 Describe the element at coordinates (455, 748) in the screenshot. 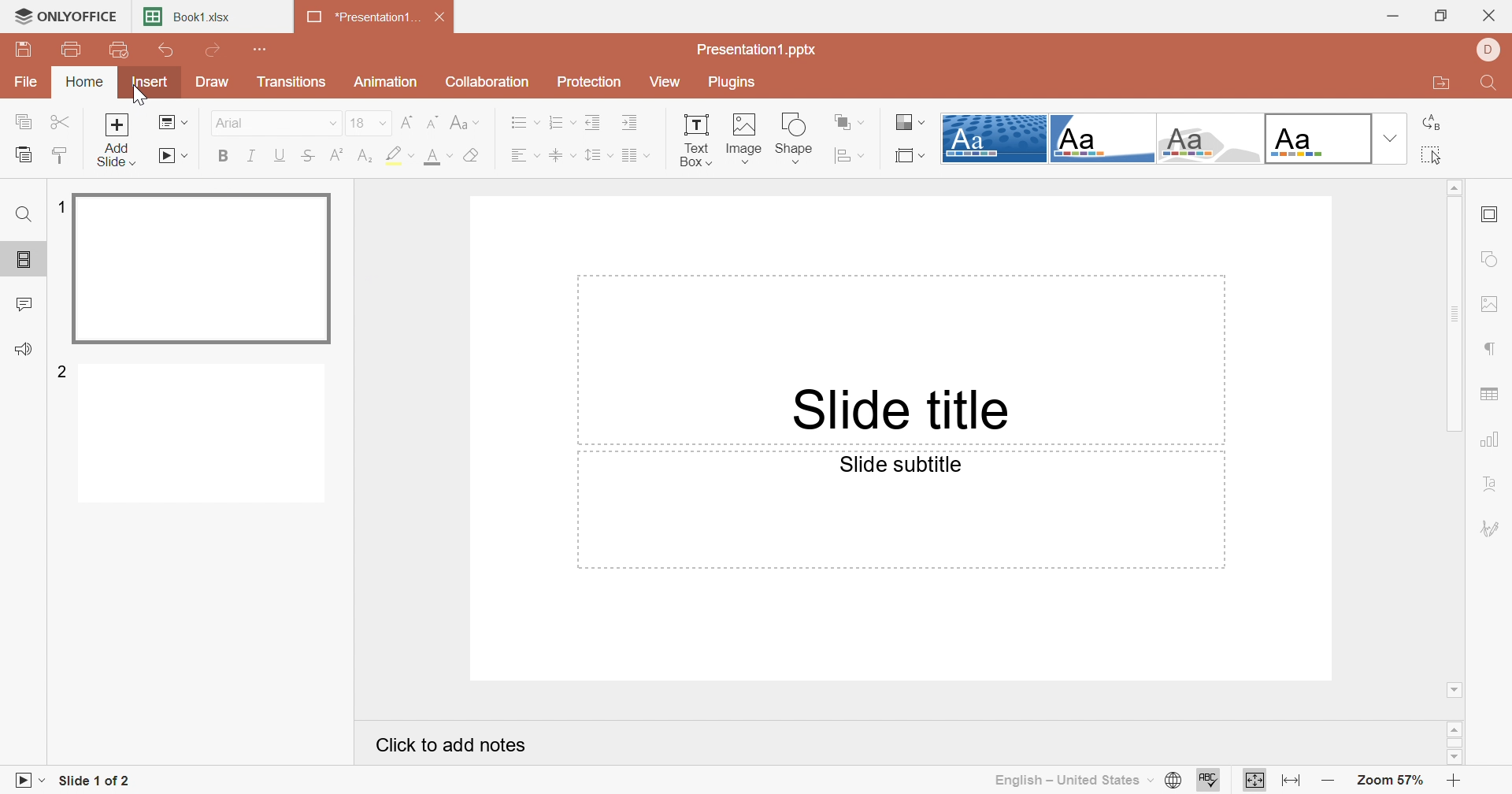

I see `Click to add notes` at that location.